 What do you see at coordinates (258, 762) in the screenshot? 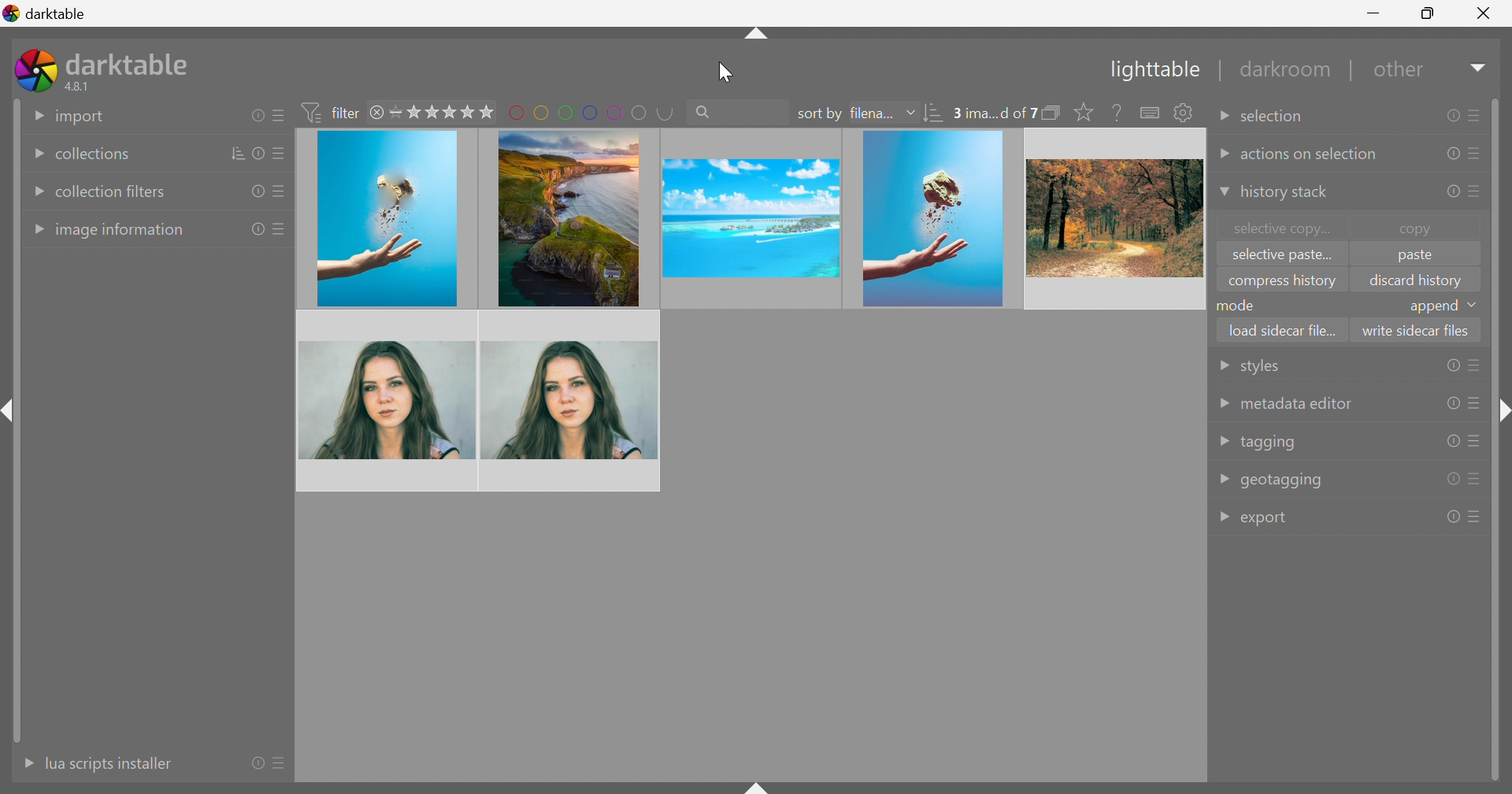
I see `reset` at bounding box center [258, 762].